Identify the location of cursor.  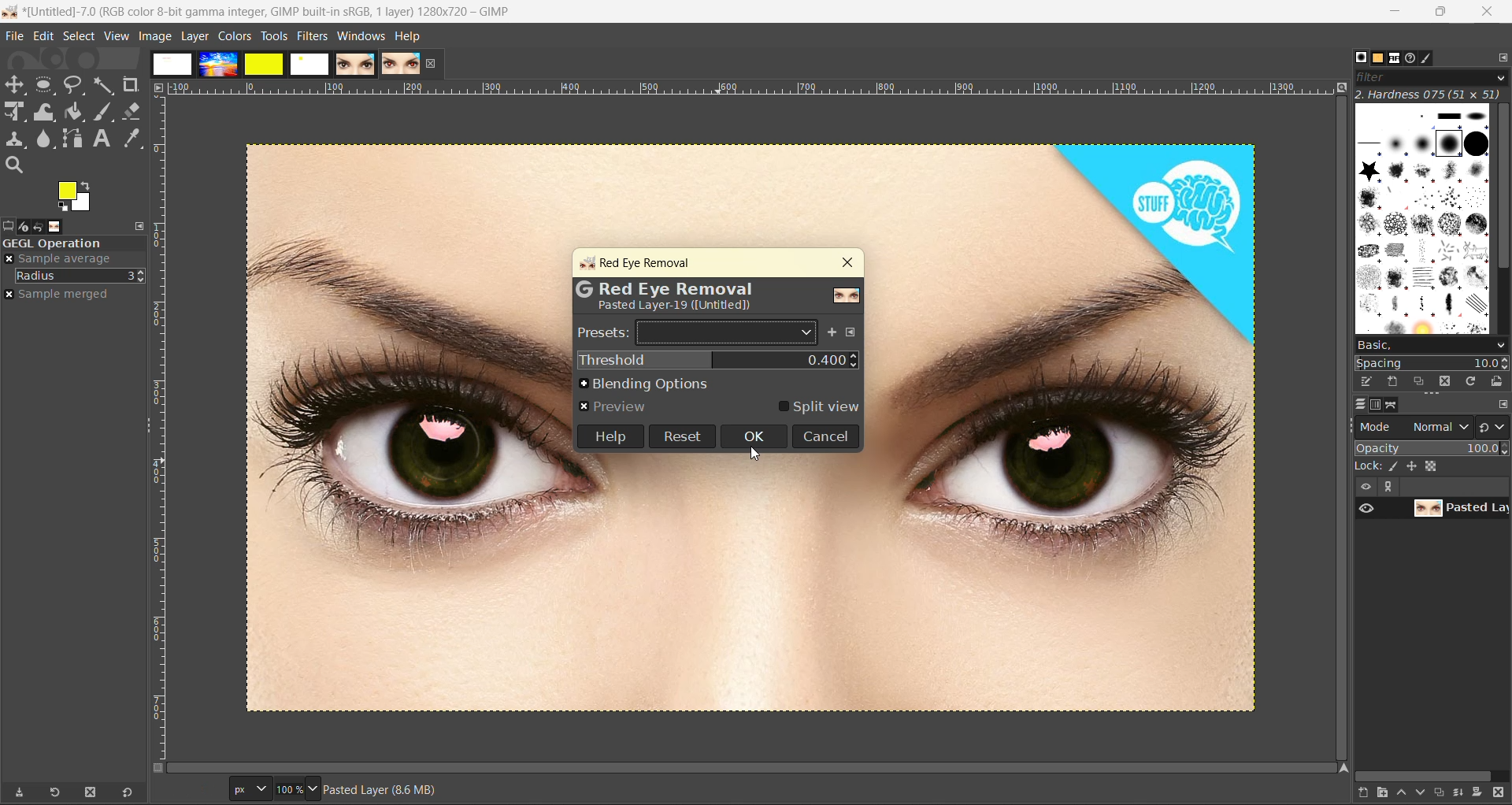
(751, 455).